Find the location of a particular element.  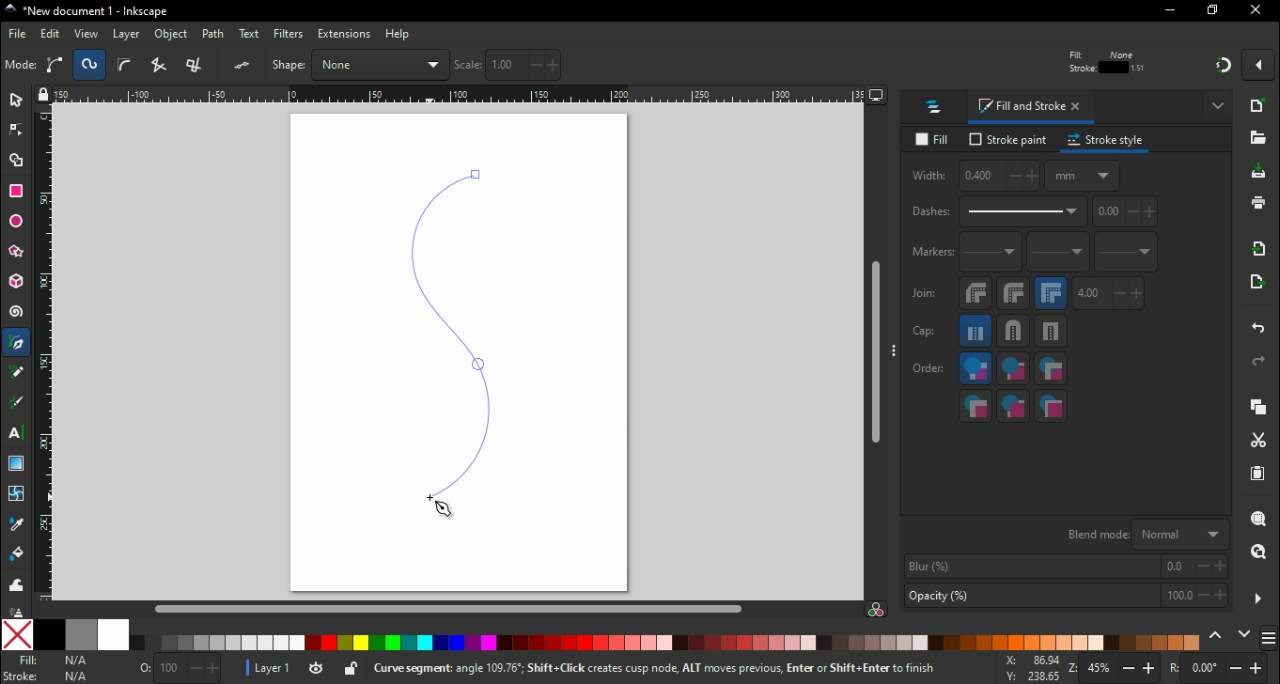

color palette is located at coordinates (668, 643).